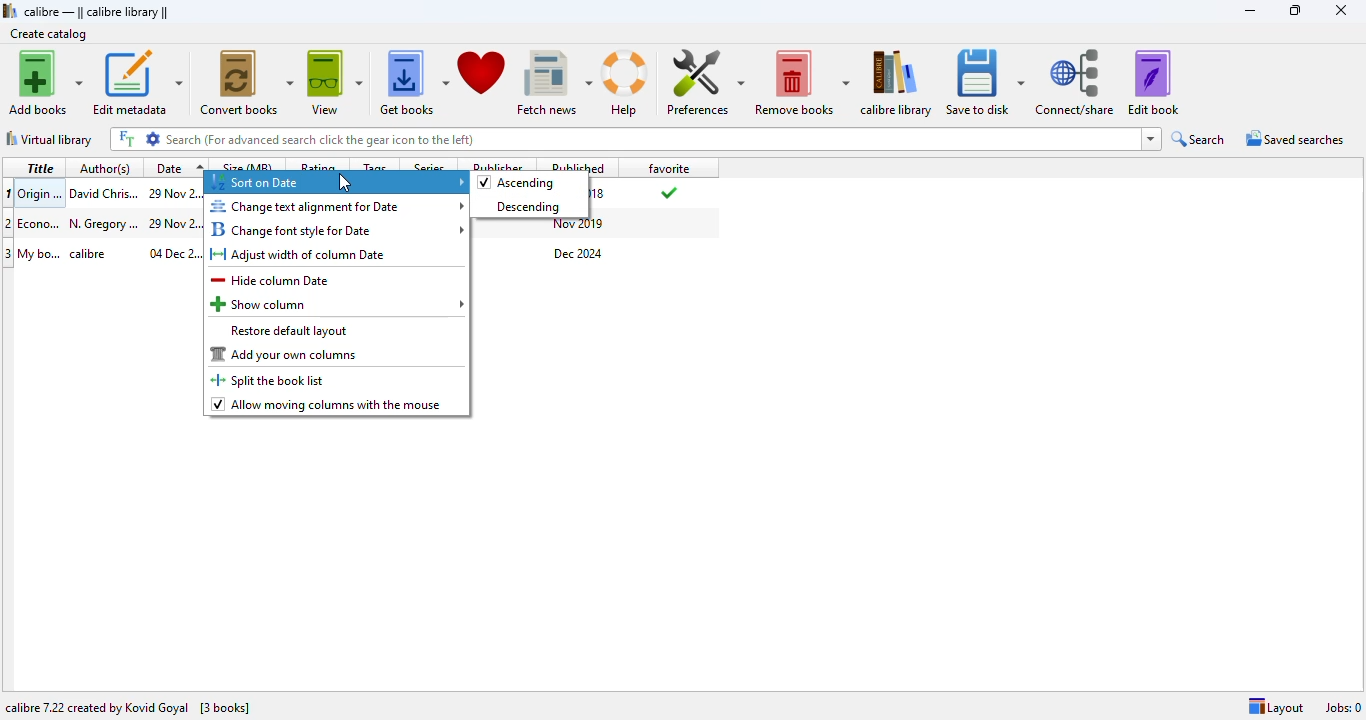  What do you see at coordinates (299, 255) in the screenshot?
I see `adjust with of column date` at bounding box center [299, 255].